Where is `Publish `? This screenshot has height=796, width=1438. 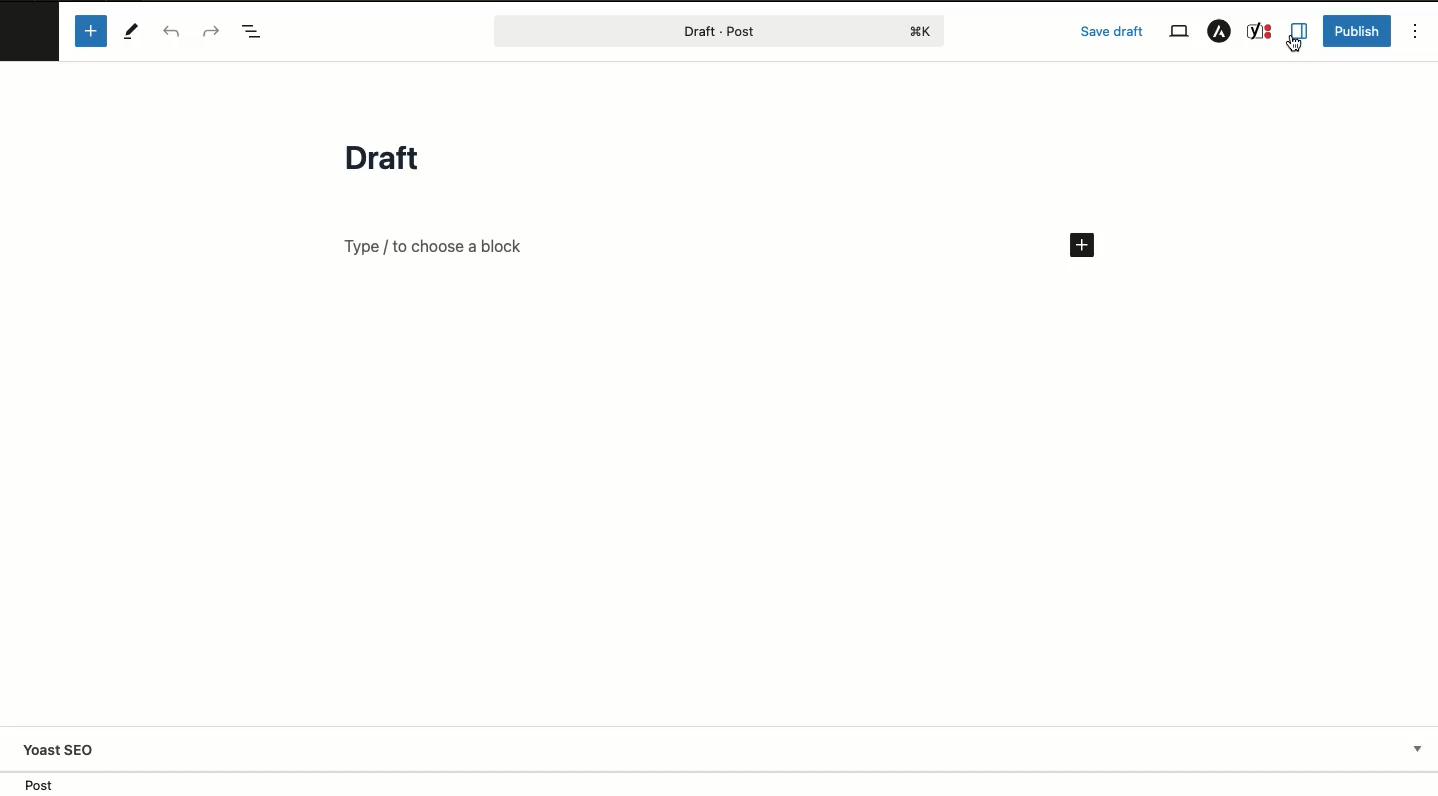
Publish  is located at coordinates (1360, 32).